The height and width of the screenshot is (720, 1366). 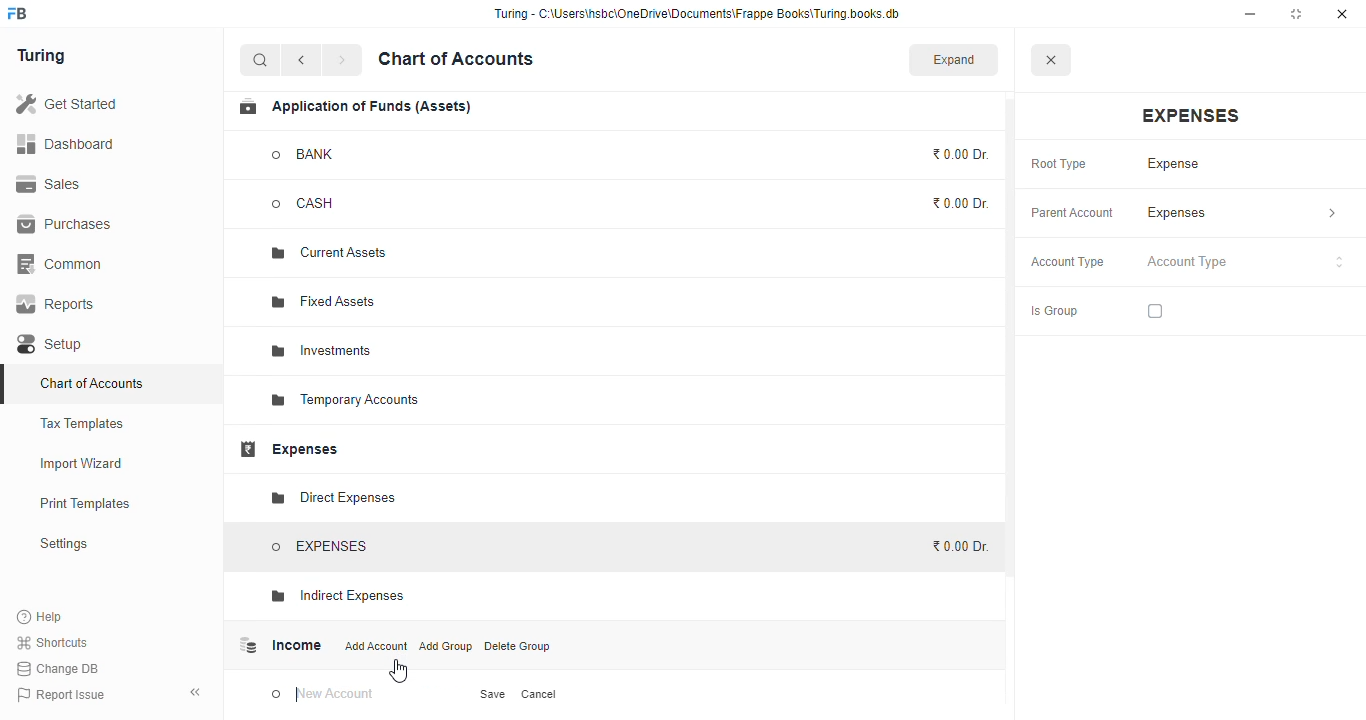 What do you see at coordinates (52, 344) in the screenshot?
I see `setup` at bounding box center [52, 344].